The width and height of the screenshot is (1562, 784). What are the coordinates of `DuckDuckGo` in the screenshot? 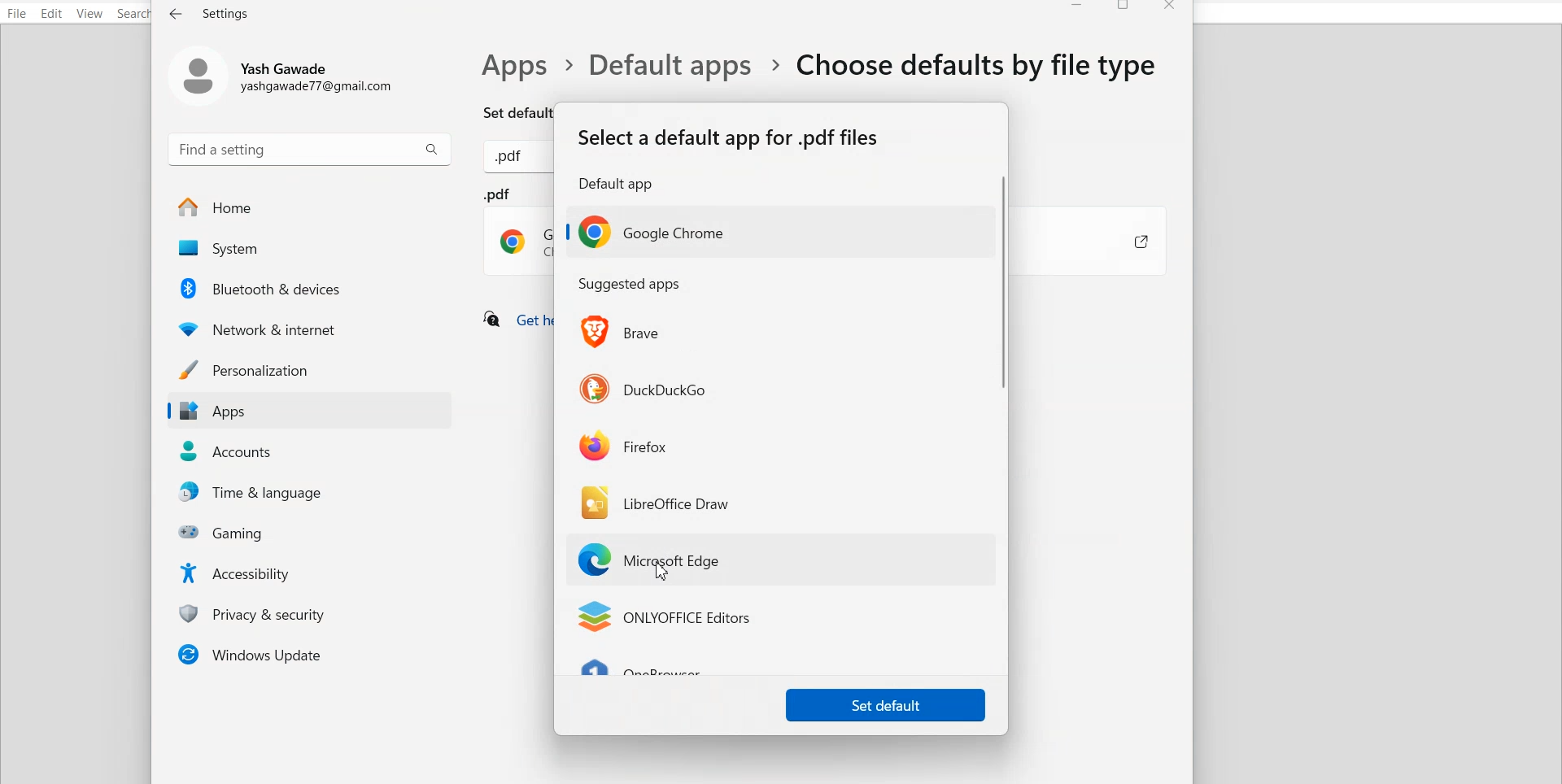 It's located at (644, 386).